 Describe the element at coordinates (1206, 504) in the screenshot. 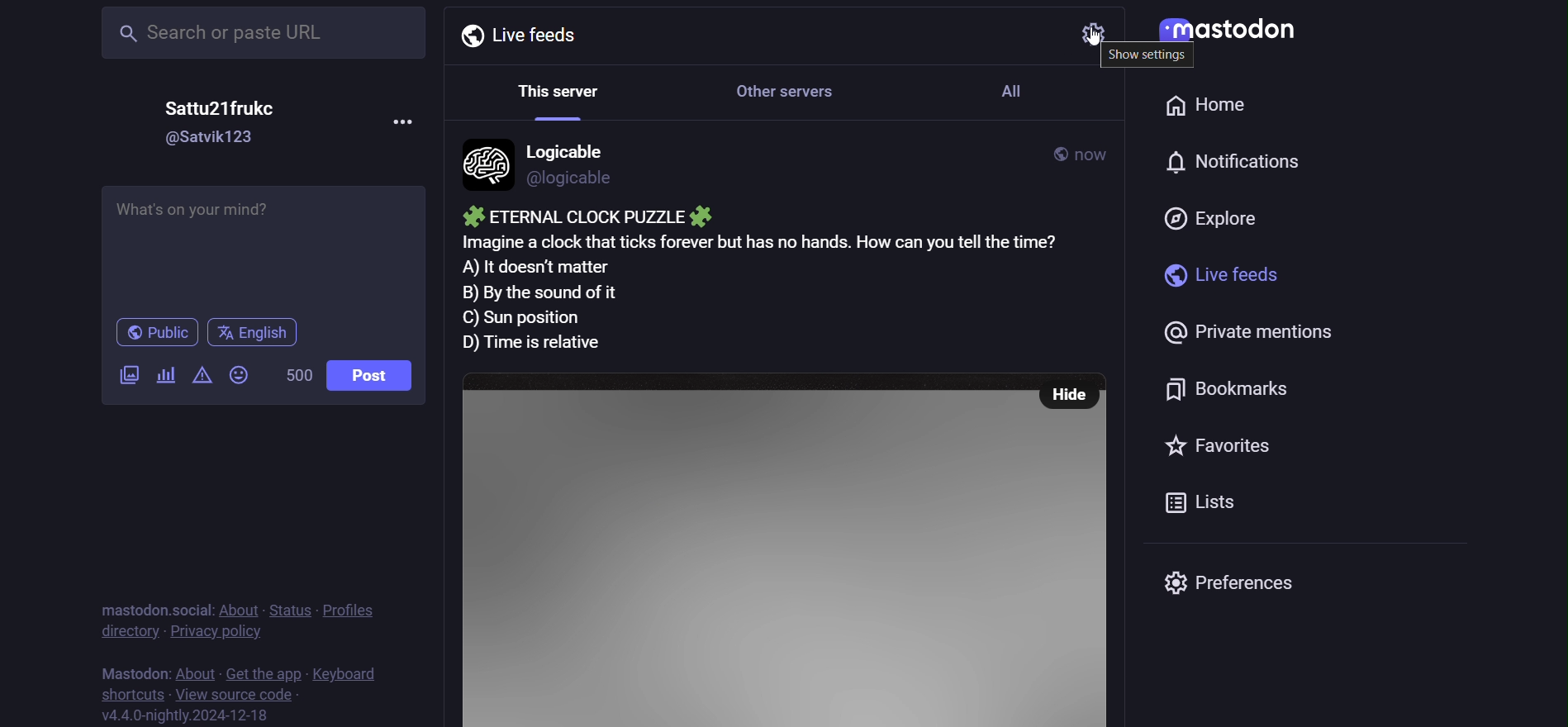

I see `list` at that location.